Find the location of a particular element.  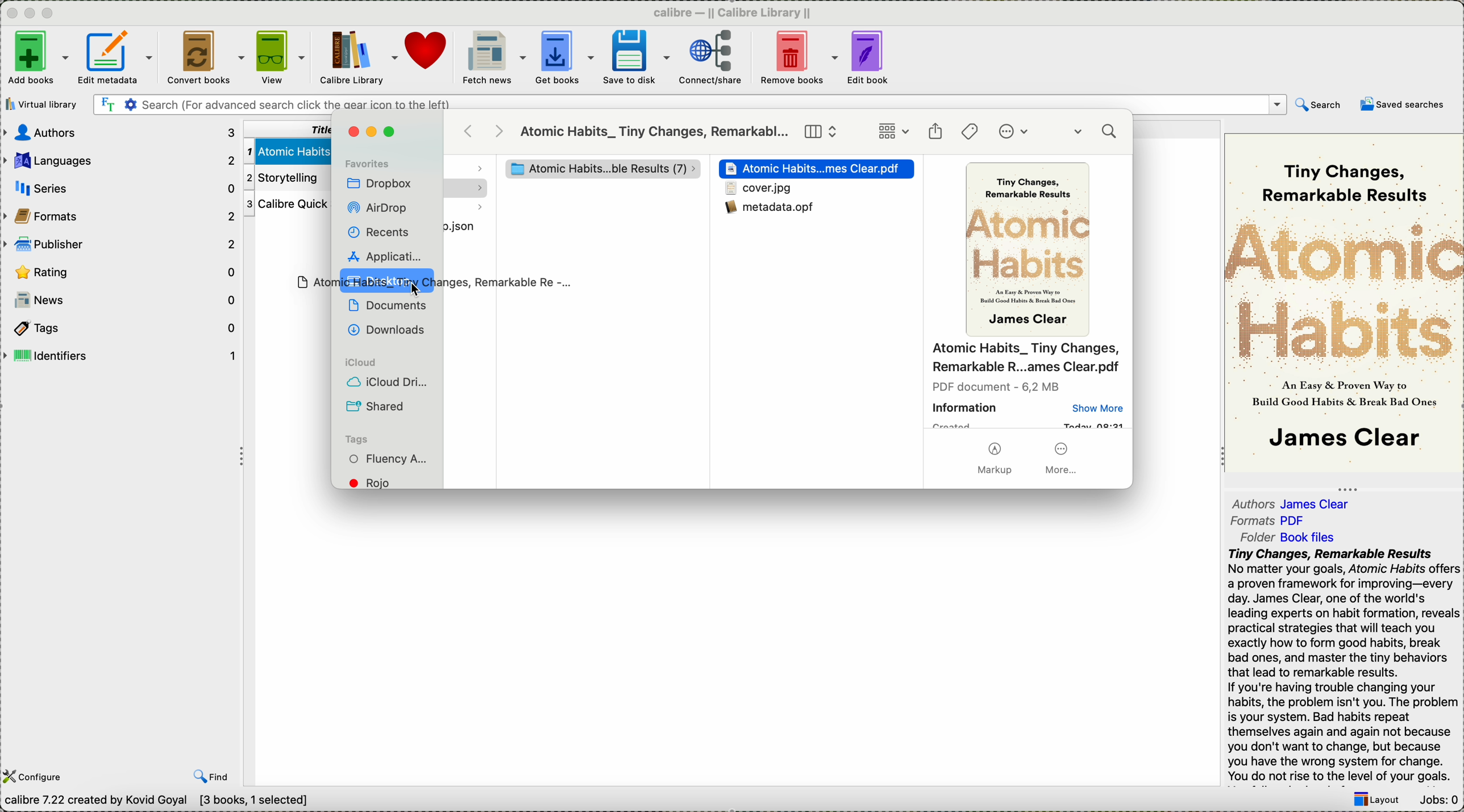

remove books is located at coordinates (798, 59).